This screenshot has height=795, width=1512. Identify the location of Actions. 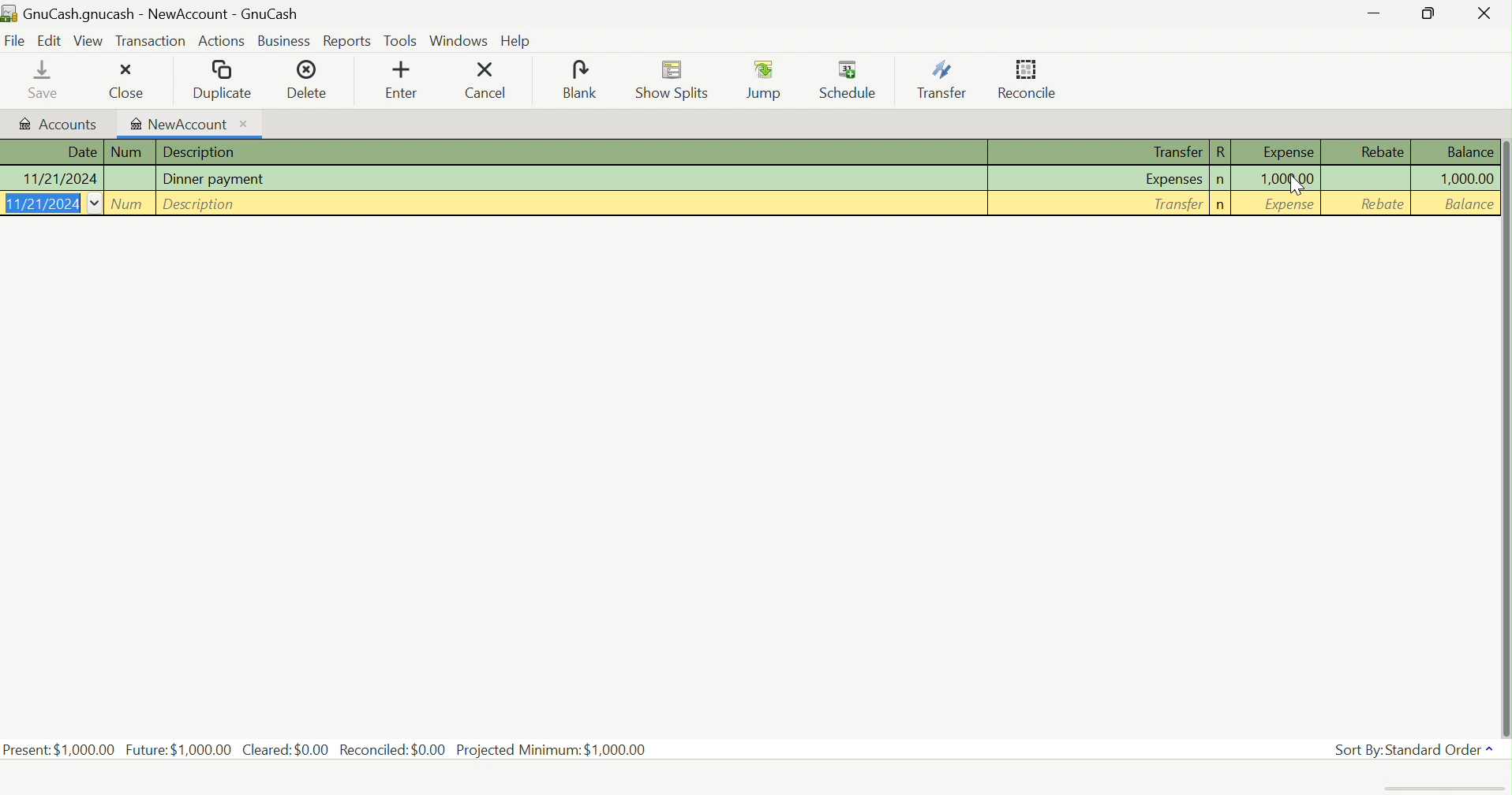
(223, 43).